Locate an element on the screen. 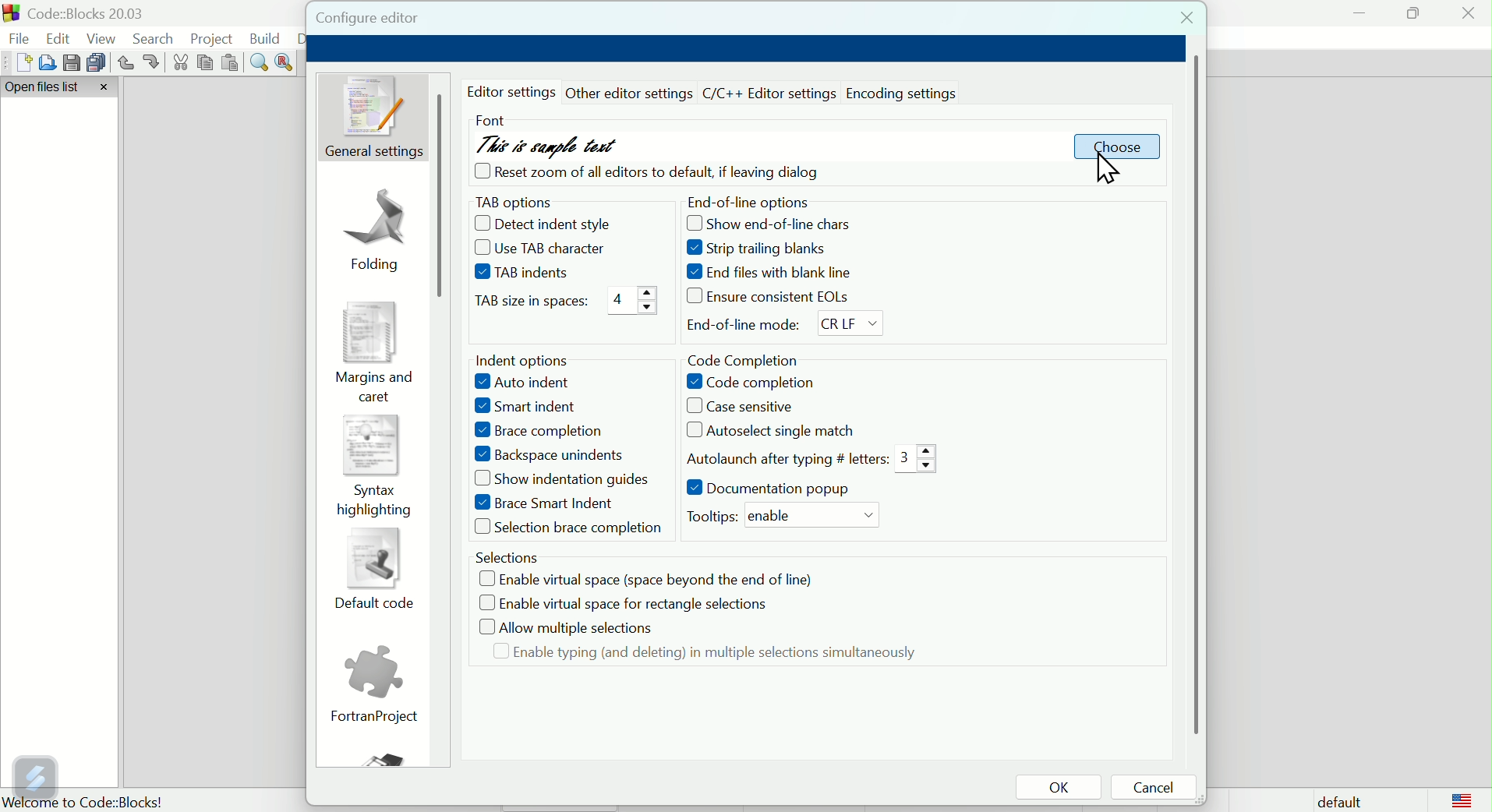 This screenshot has width=1492, height=812. Documentation pop up is located at coordinates (773, 488).